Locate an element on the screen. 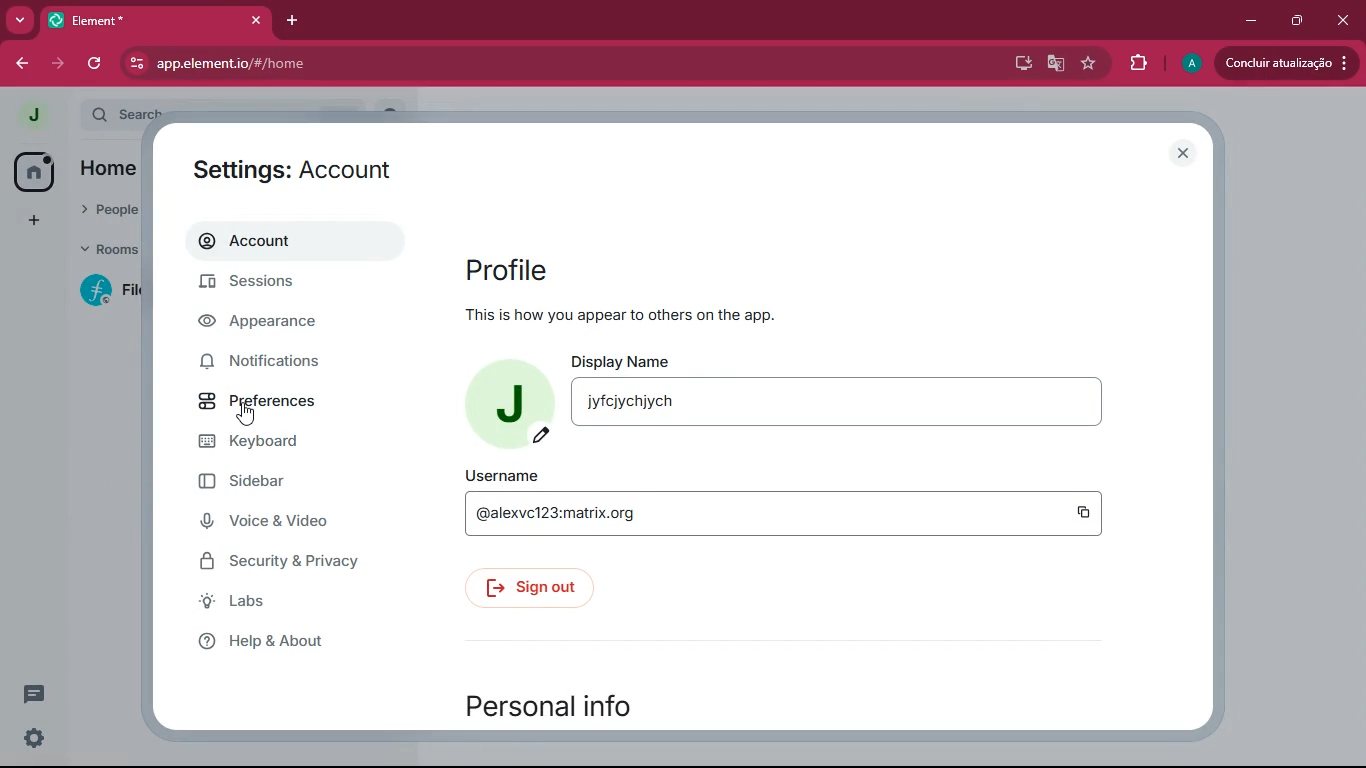  sessions is located at coordinates (272, 284).